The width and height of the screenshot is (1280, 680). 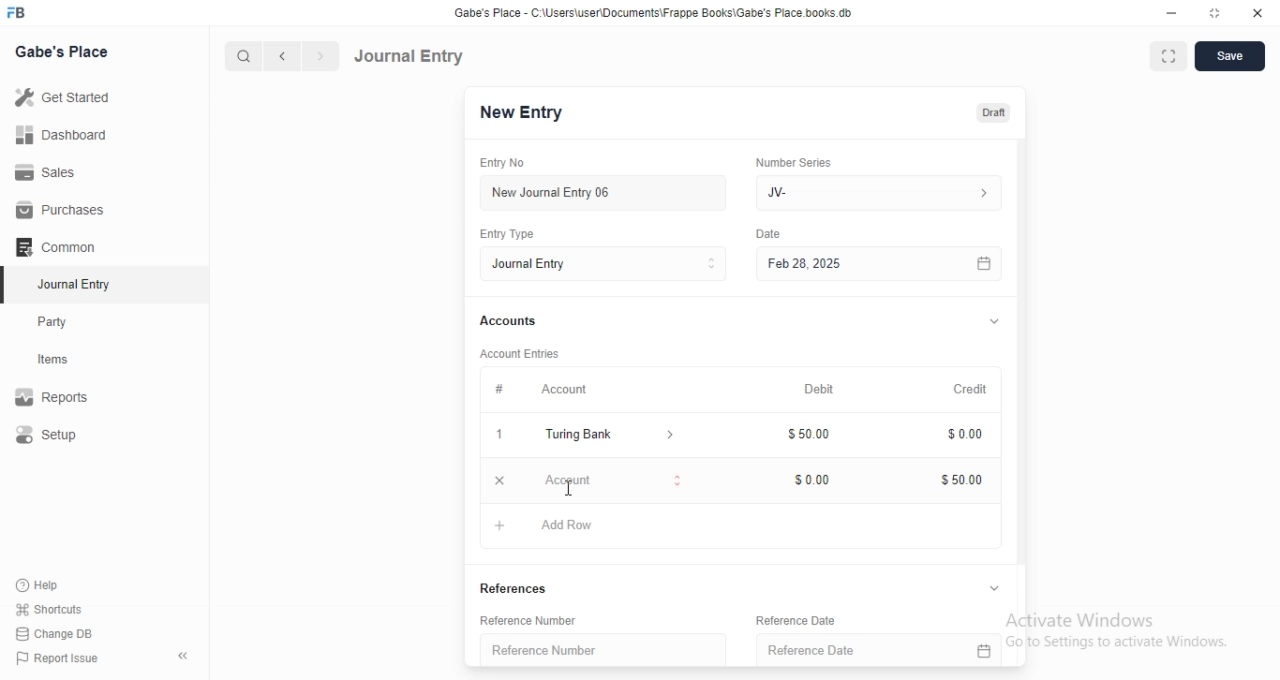 I want to click on minimize, so click(x=1170, y=16).